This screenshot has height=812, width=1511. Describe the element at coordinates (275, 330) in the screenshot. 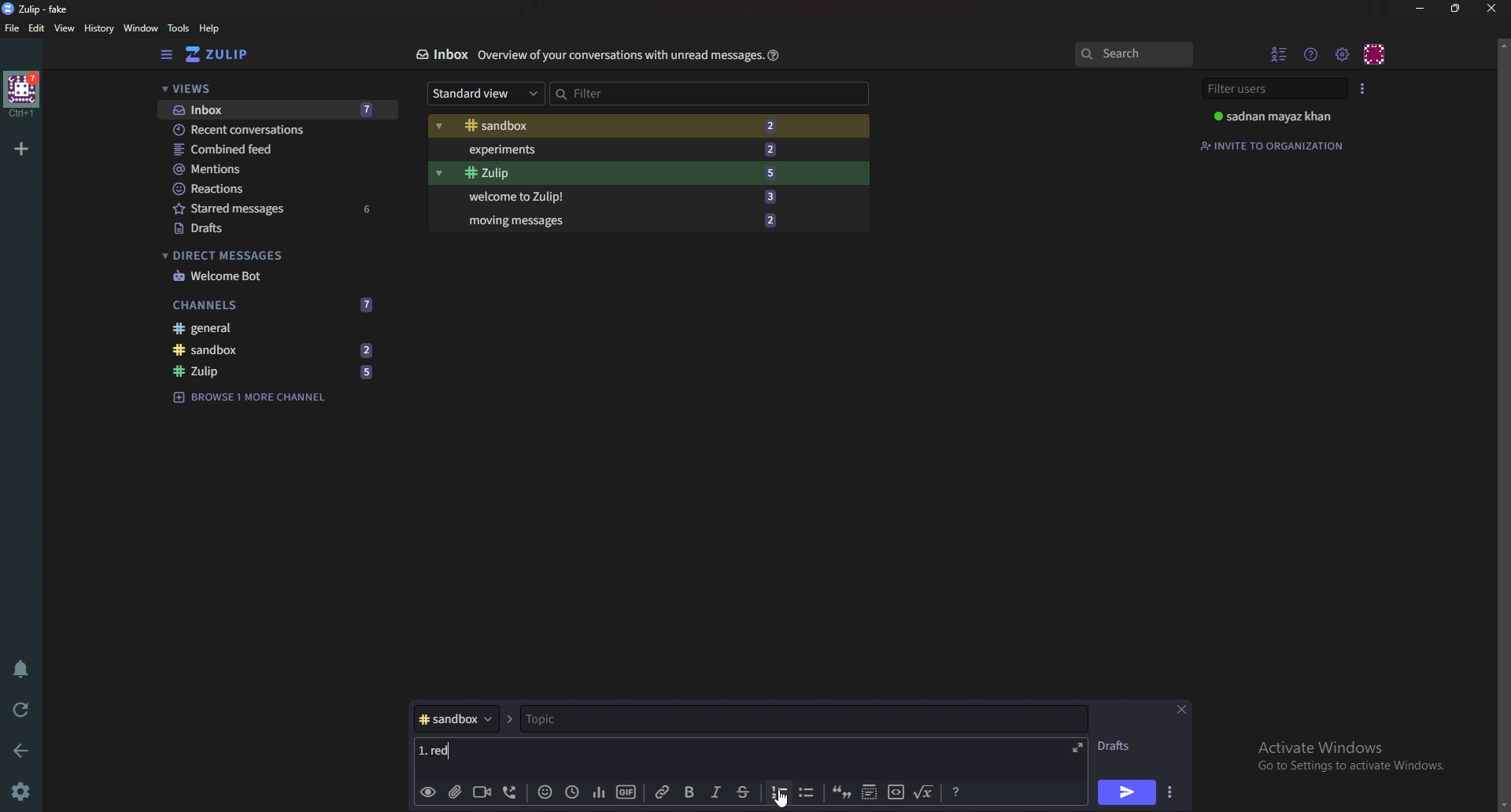

I see `General` at that location.